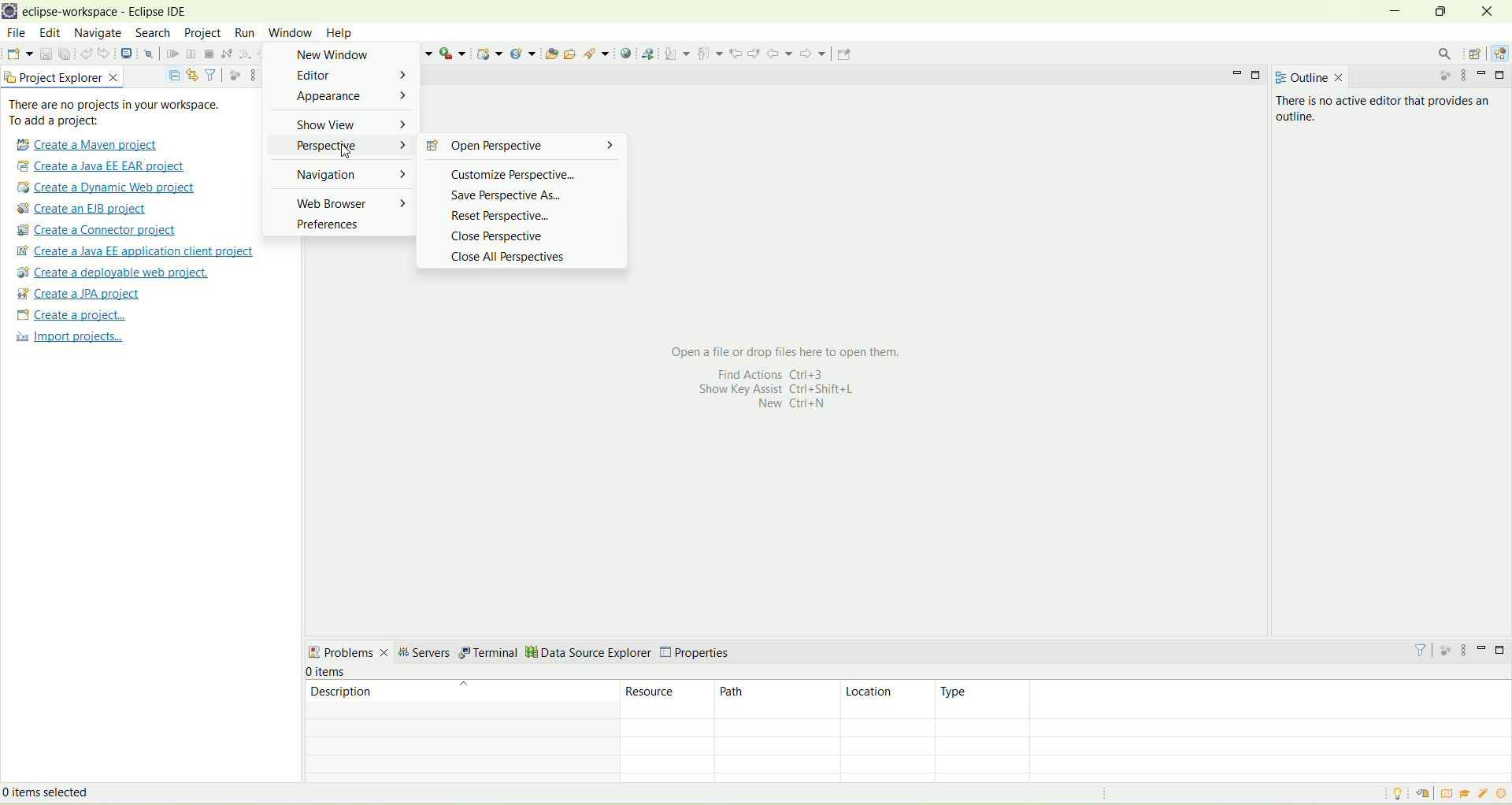  What do you see at coordinates (1395, 9) in the screenshot?
I see `minimize` at bounding box center [1395, 9].